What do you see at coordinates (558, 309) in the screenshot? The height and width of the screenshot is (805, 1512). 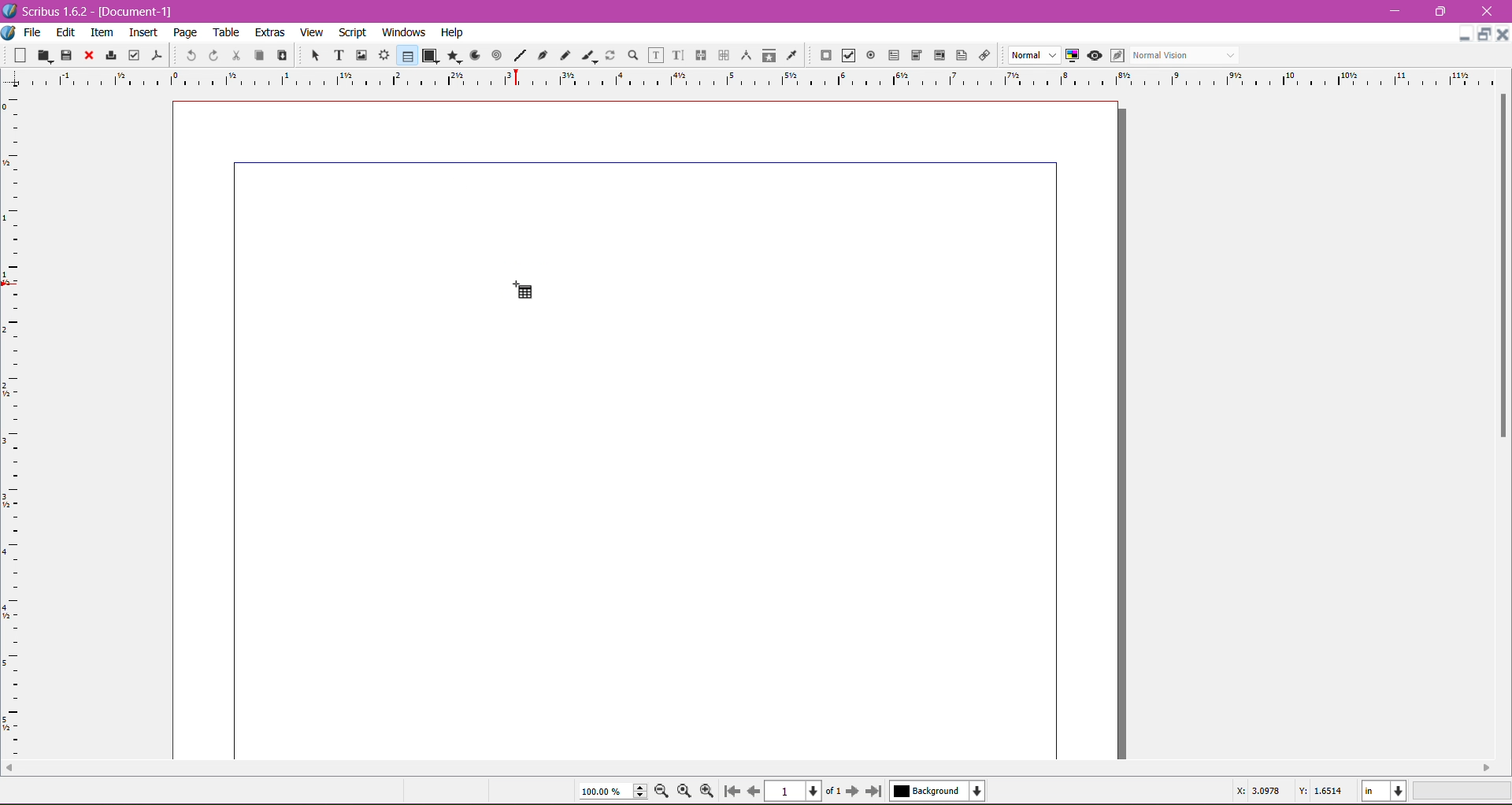 I see `X: 3.0978 in` at bounding box center [558, 309].